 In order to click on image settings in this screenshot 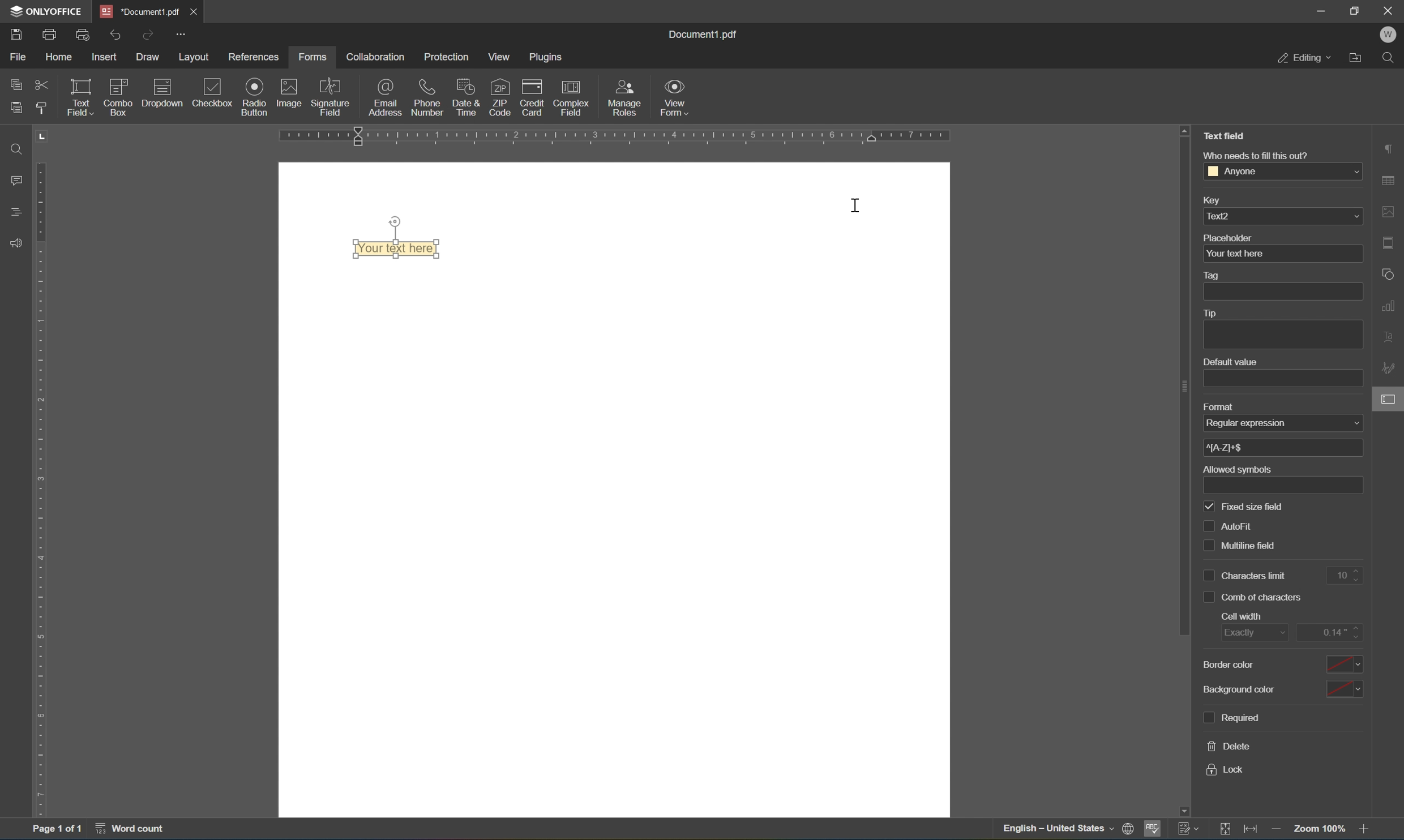, I will do `click(1388, 209)`.